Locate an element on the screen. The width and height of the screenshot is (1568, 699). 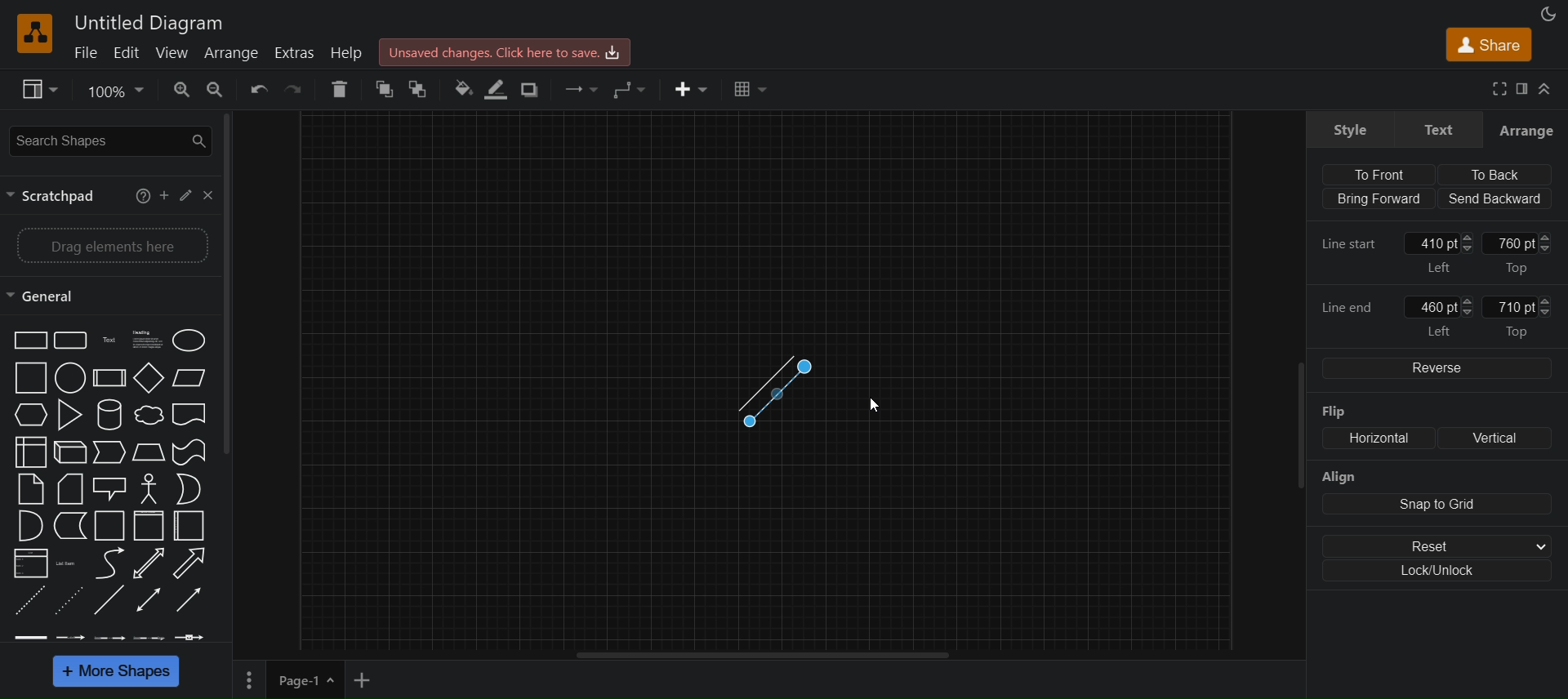
Hexagon is located at coordinates (29, 416).